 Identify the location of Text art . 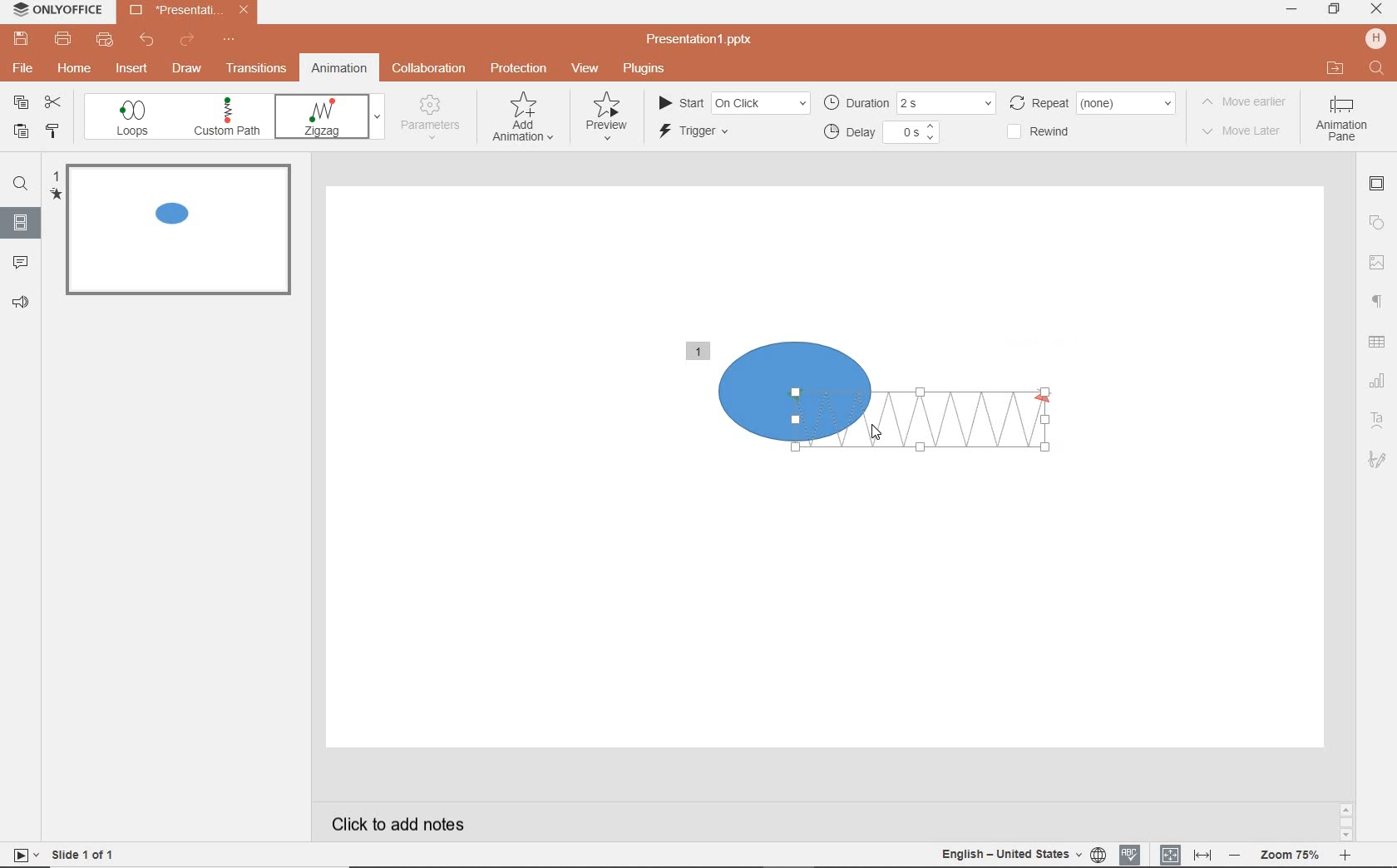
(1375, 418).